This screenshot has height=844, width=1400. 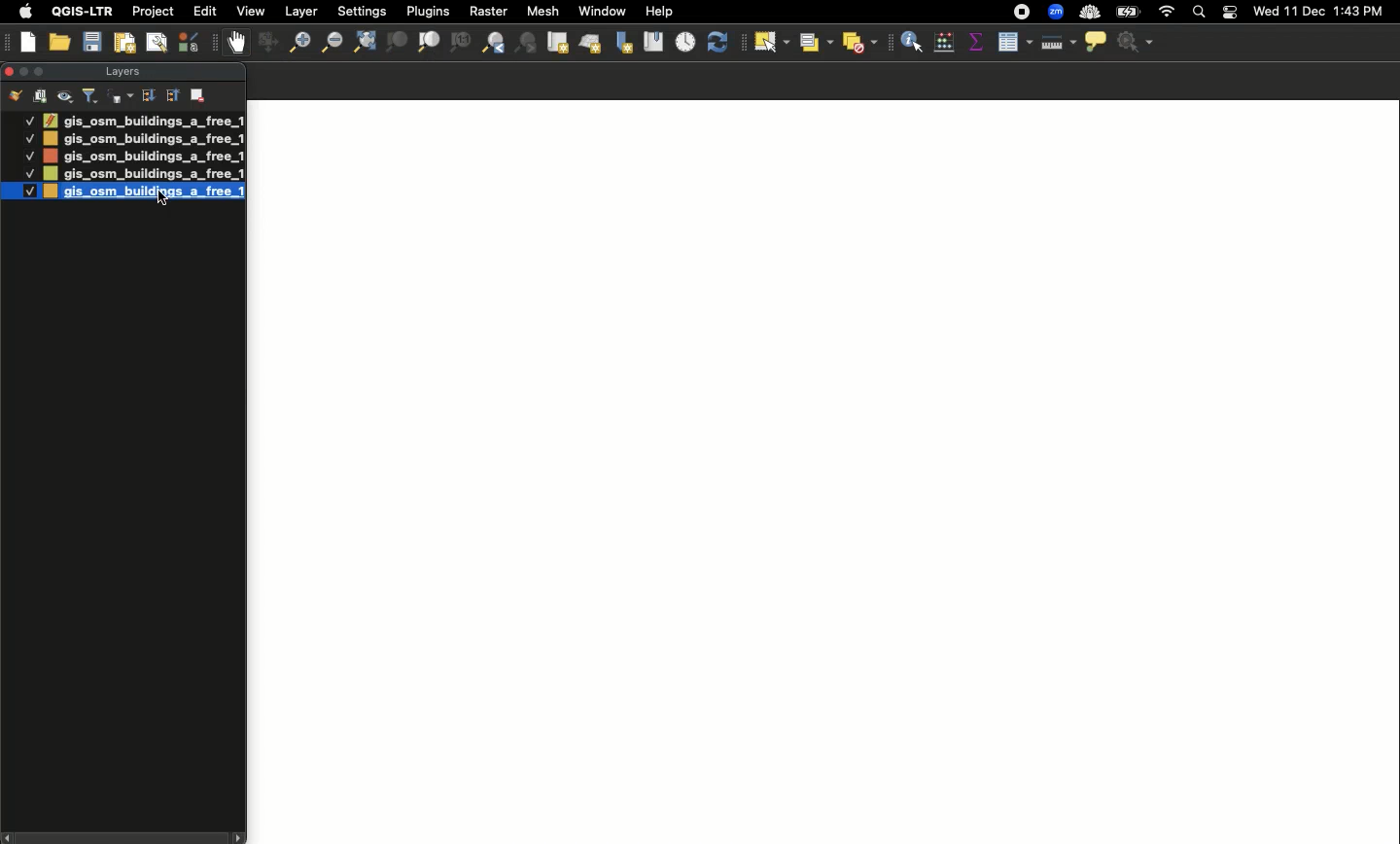 I want to click on Edit, so click(x=205, y=11).